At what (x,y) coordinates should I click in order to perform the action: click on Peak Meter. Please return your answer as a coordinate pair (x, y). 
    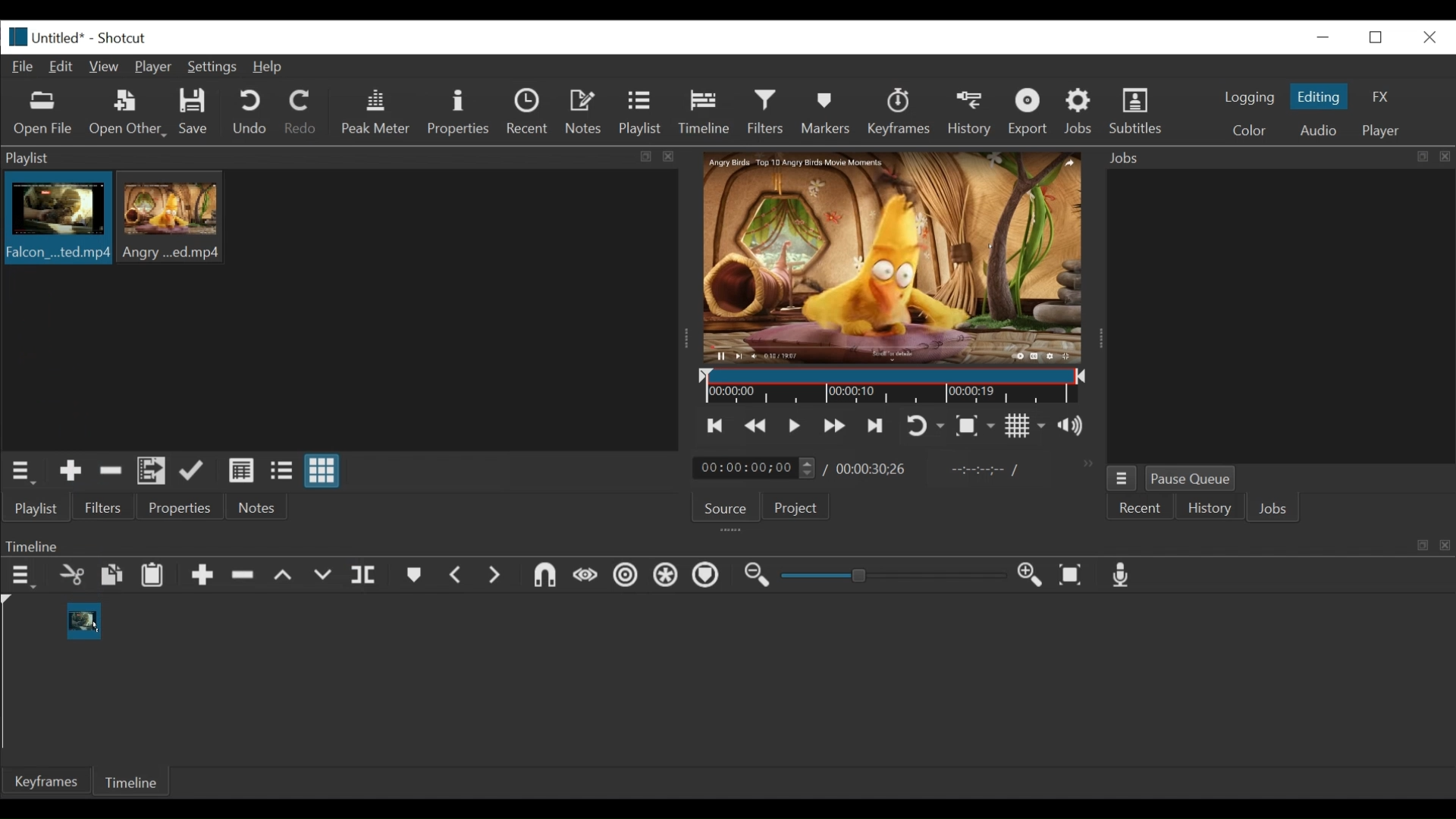
    Looking at the image, I should click on (378, 112).